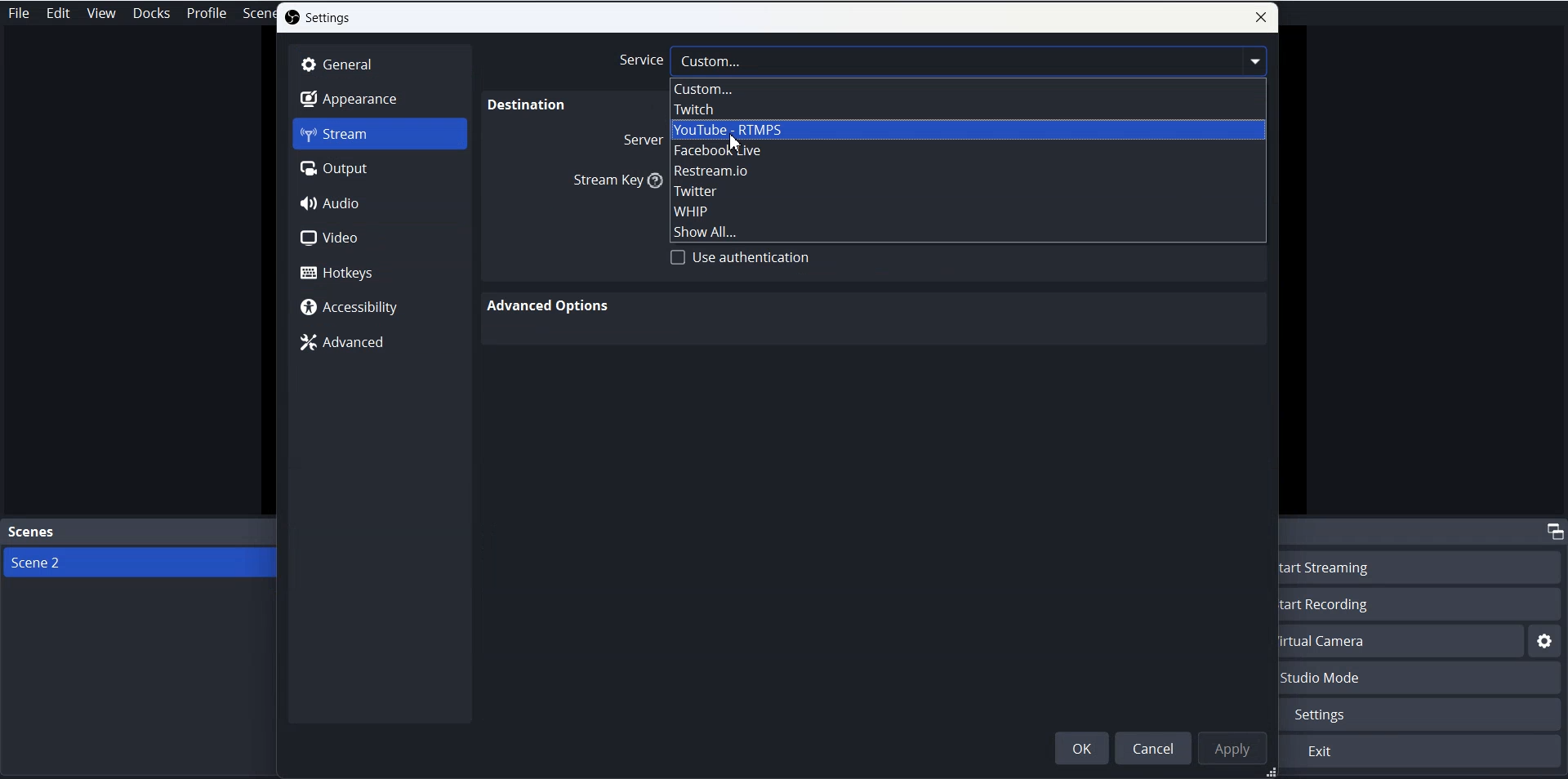 This screenshot has width=1568, height=779. What do you see at coordinates (741, 257) in the screenshot?
I see `Use authentication` at bounding box center [741, 257].